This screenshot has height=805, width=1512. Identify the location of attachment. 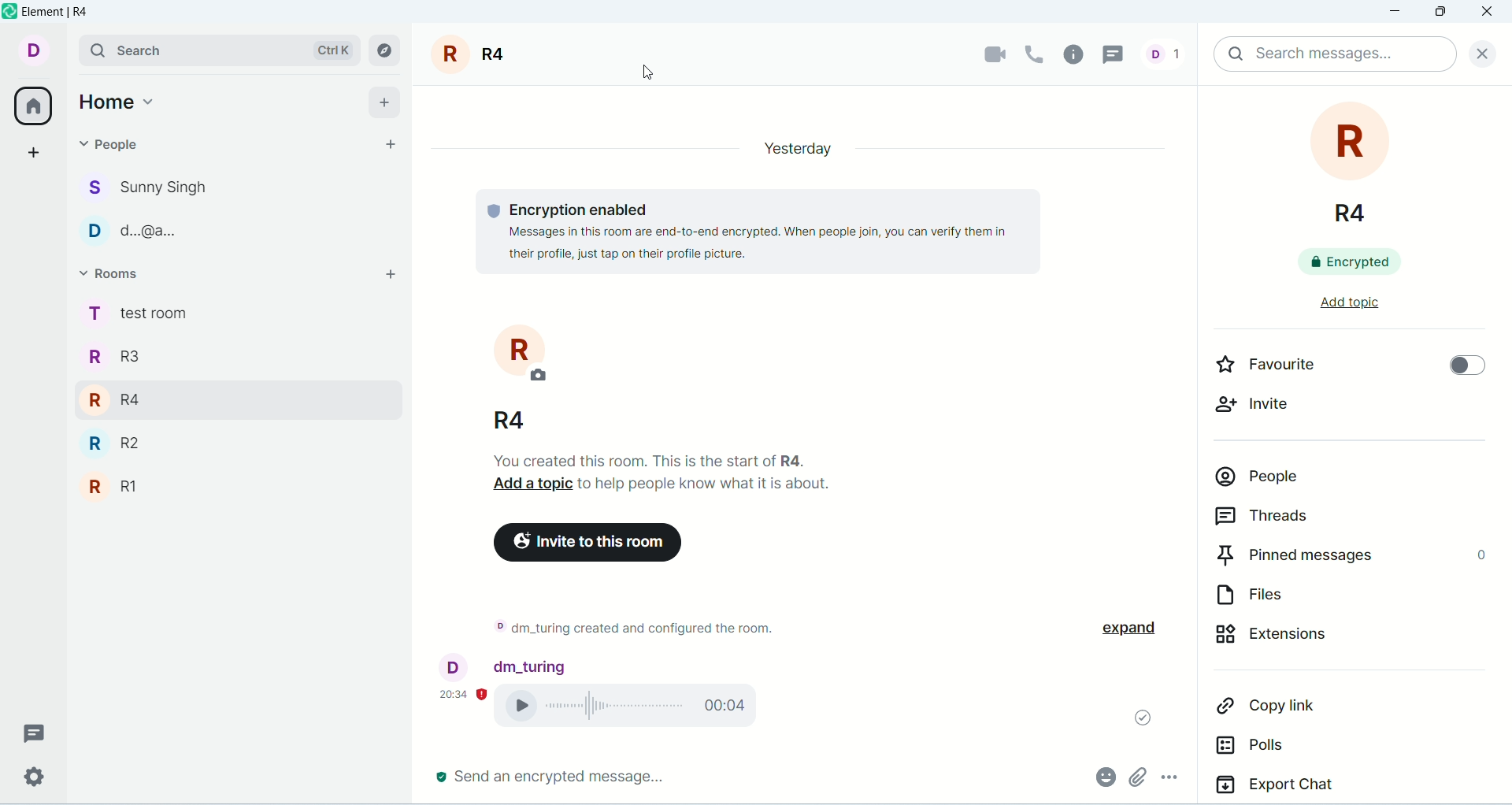
(1136, 777).